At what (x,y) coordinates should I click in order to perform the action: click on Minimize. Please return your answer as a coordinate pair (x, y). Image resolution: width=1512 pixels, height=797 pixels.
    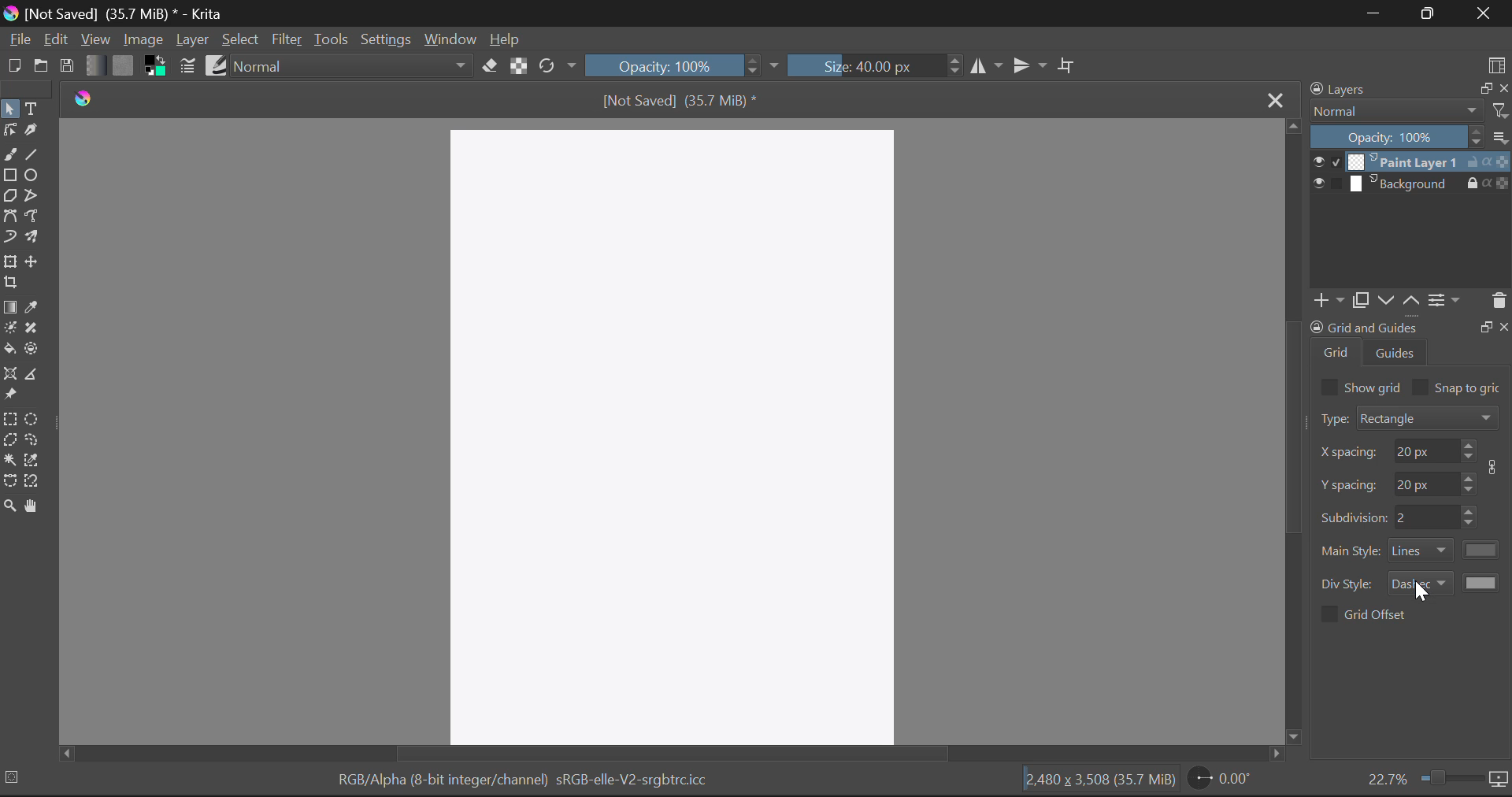
    Looking at the image, I should click on (1433, 13).